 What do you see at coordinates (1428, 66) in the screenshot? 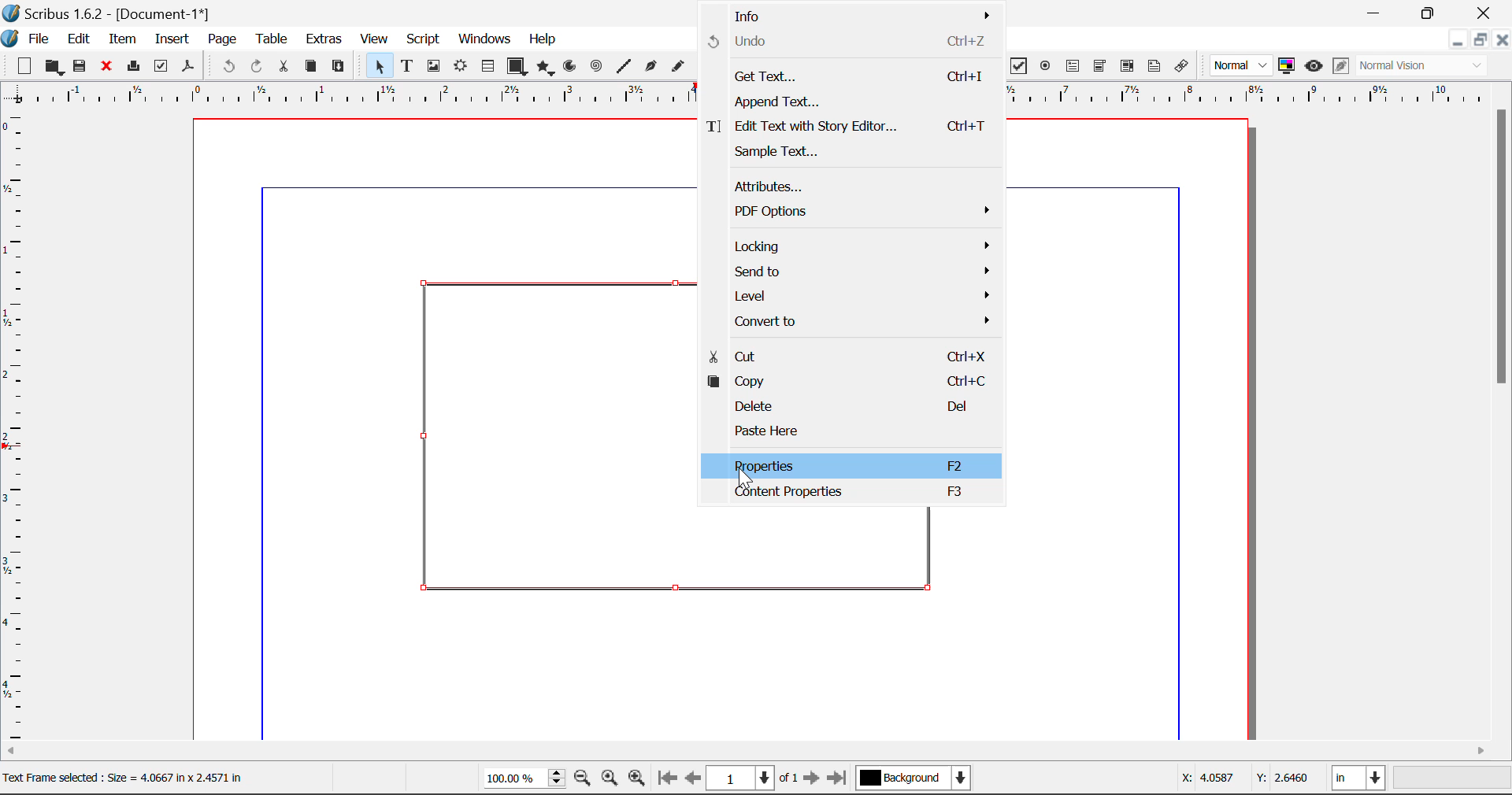
I see `Display Visual Appearance` at bounding box center [1428, 66].